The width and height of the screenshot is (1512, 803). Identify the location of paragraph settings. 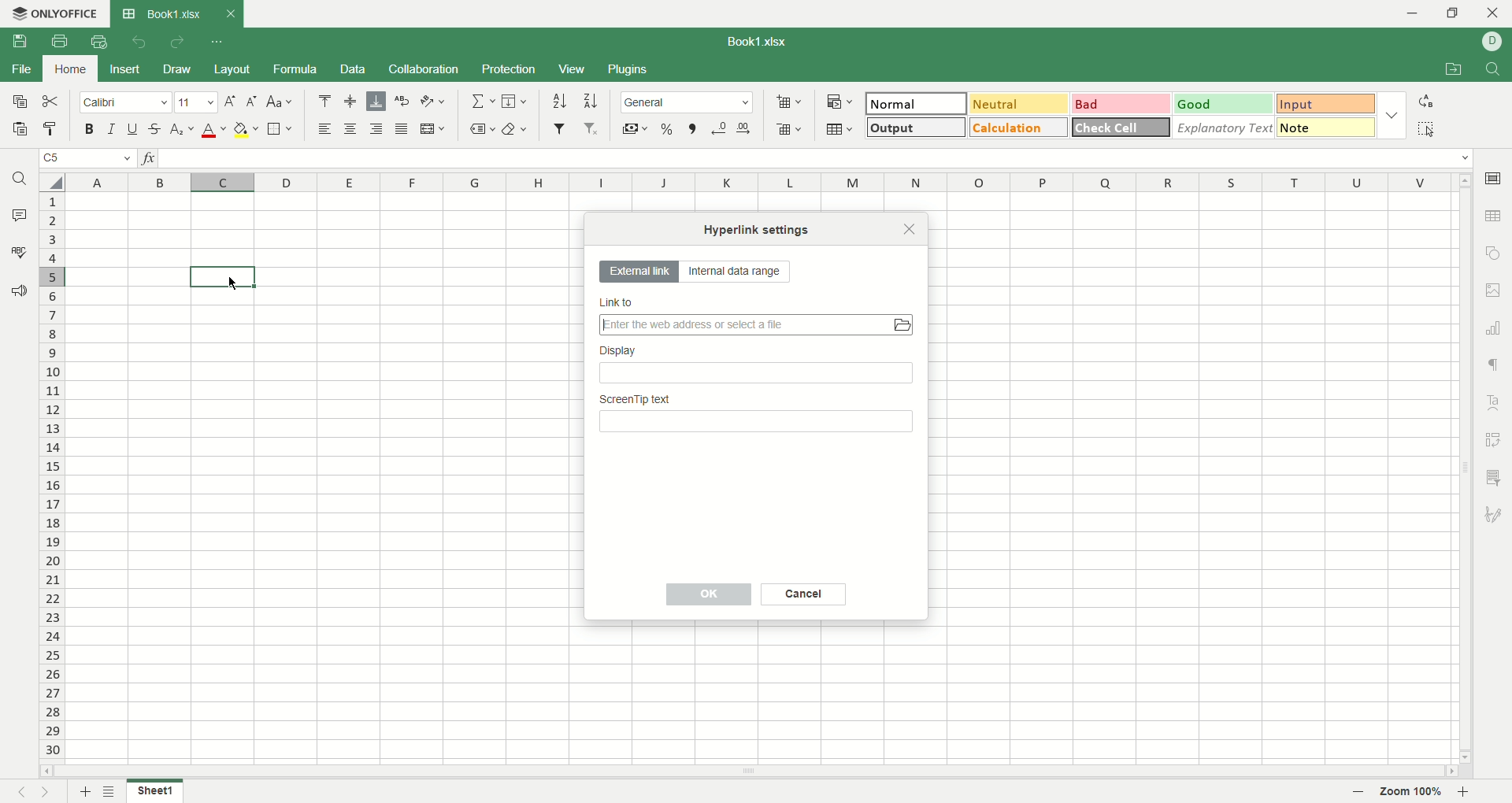
(1492, 364).